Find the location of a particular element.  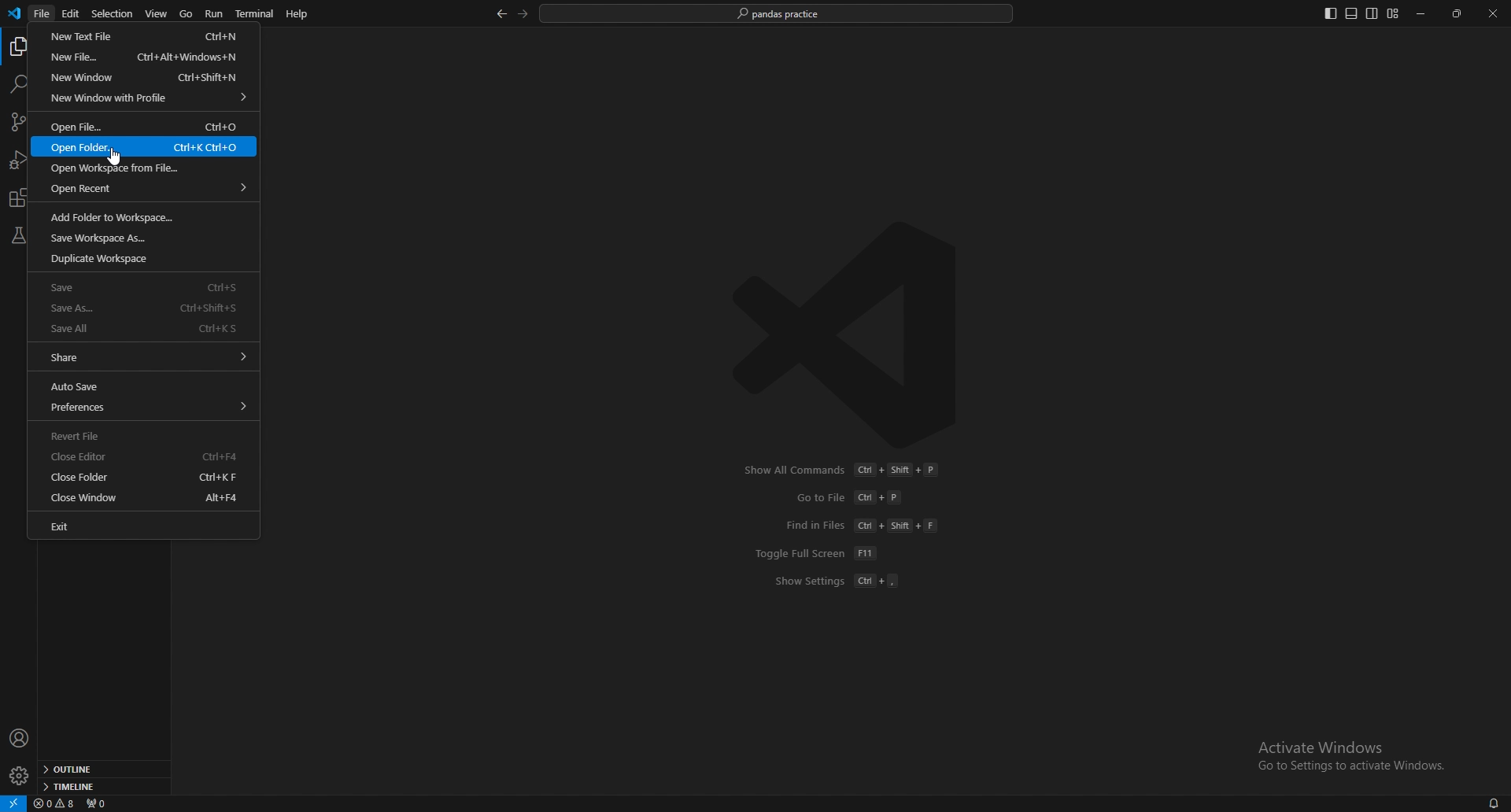

alarms is located at coordinates (1494, 803).